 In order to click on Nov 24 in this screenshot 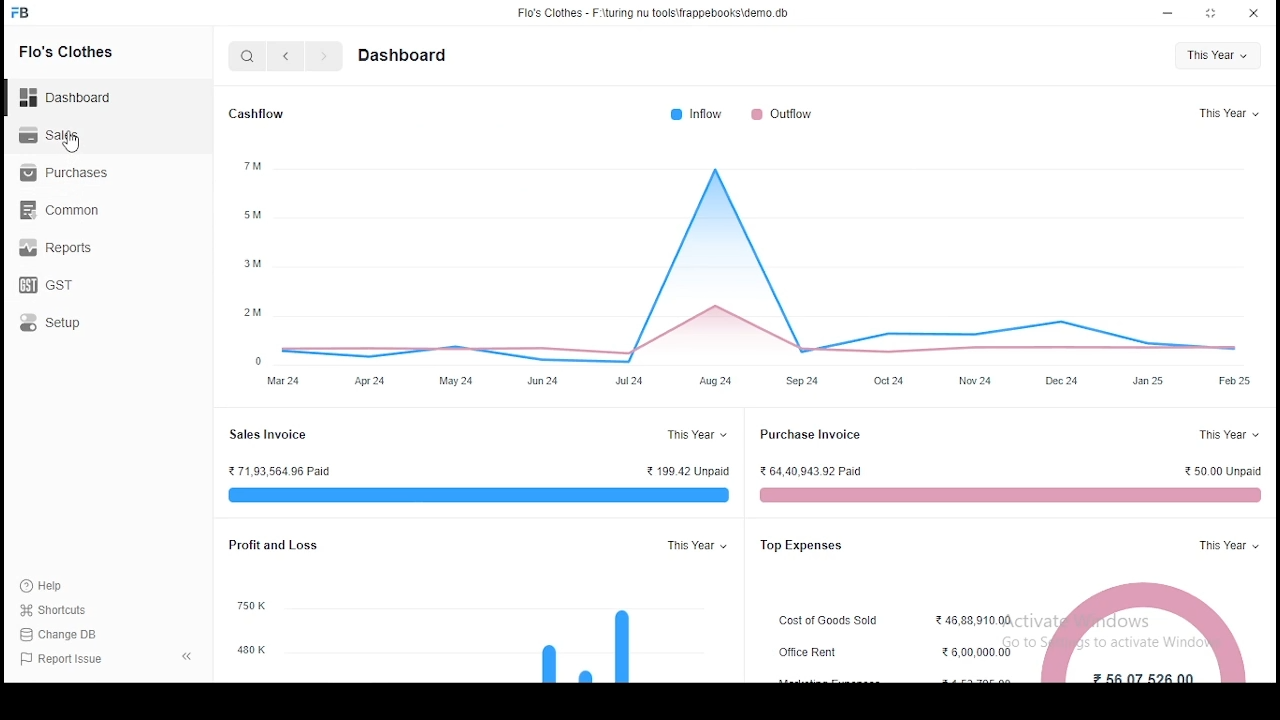, I will do `click(975, 382)`.